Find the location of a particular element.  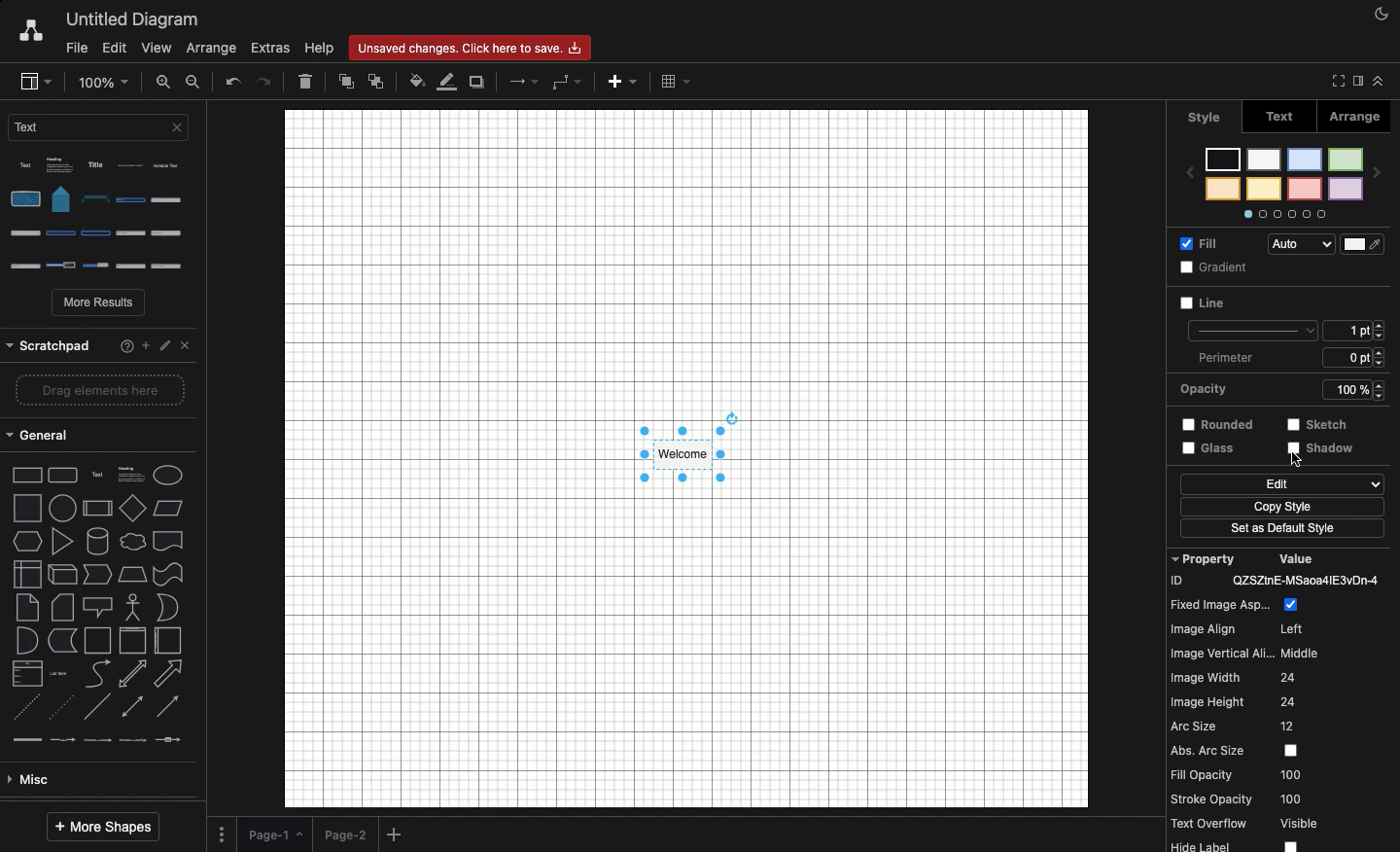

More results is located at coordinates (100, 304).